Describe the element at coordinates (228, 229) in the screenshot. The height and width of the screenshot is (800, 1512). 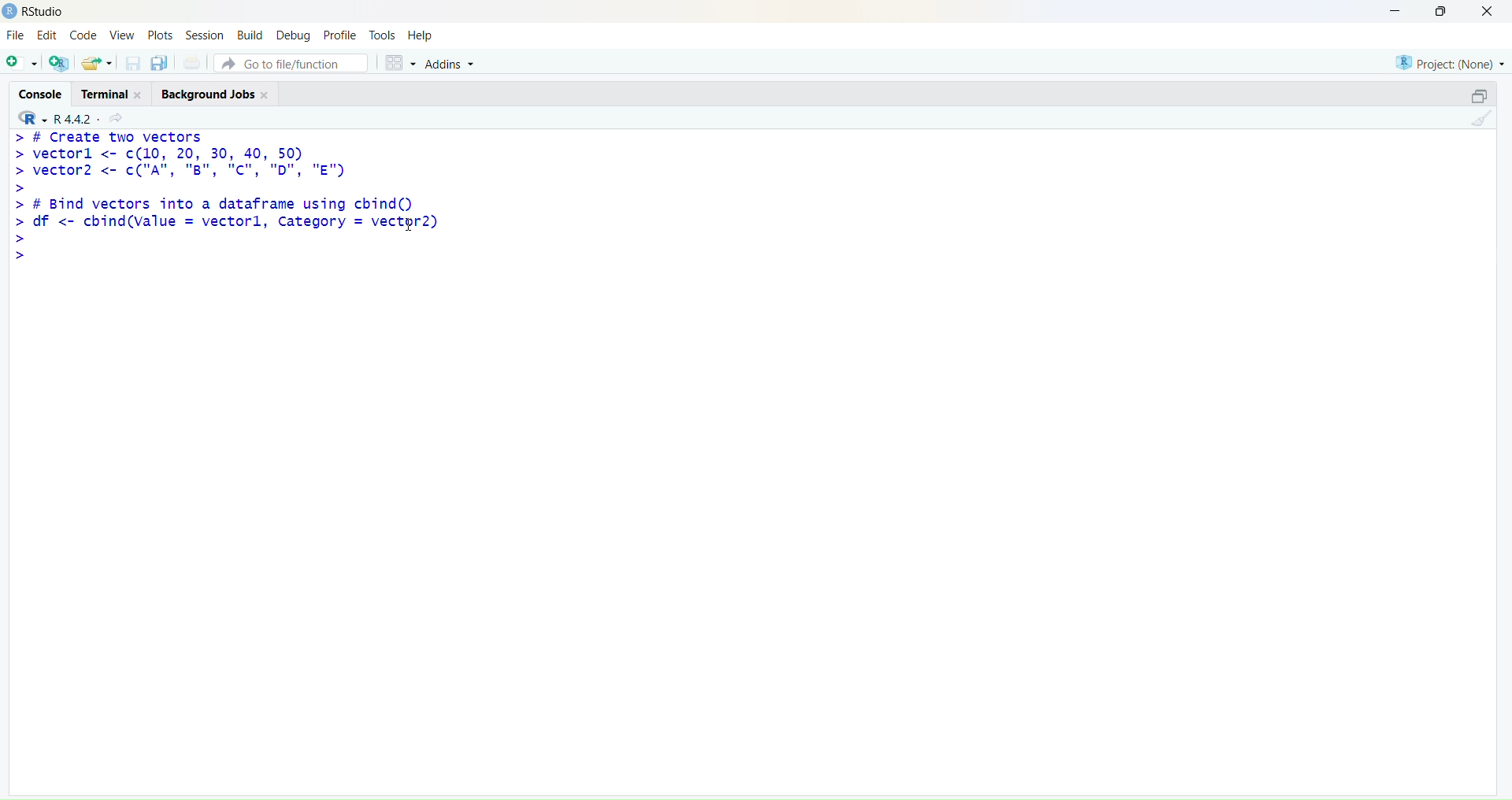
I see `# Bind vectors into a dataframe using cbind()df <- cbind(value = vectorl, Category = vector2)` at that location.